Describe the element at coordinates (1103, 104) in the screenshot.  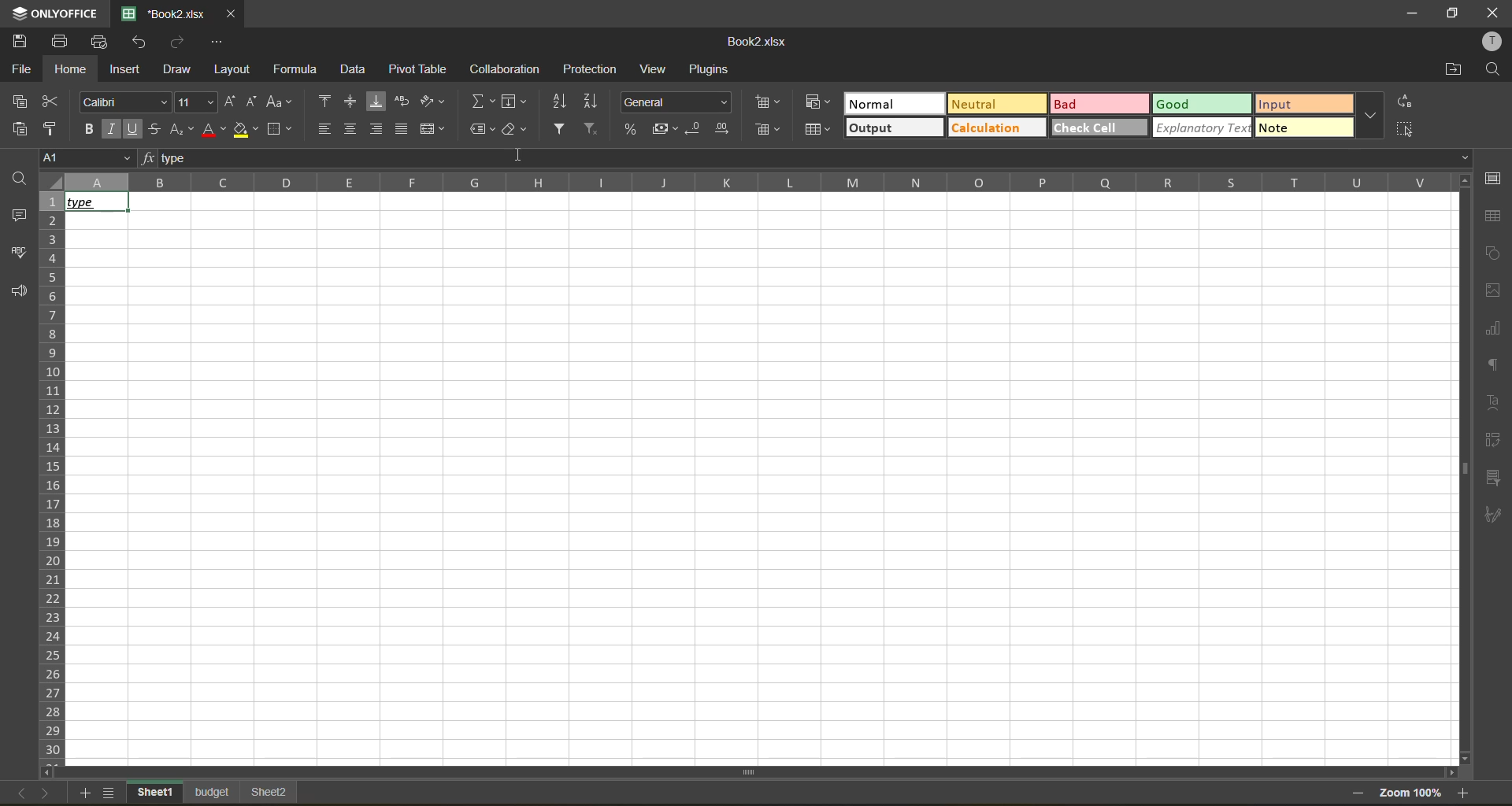
I see `bad` at that location.